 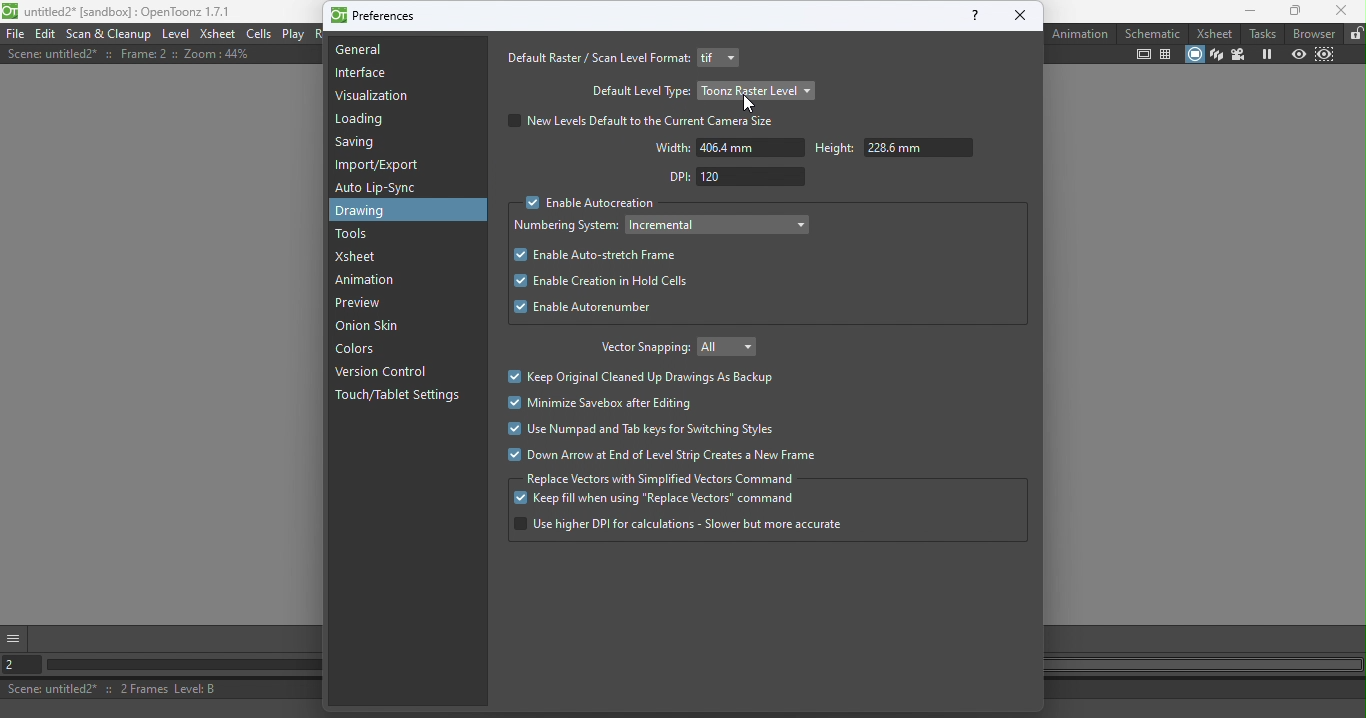 What do you see at coordinates (1311, 33) in the screenshot?
I see `Browser` at bounding box center [1311, 33].